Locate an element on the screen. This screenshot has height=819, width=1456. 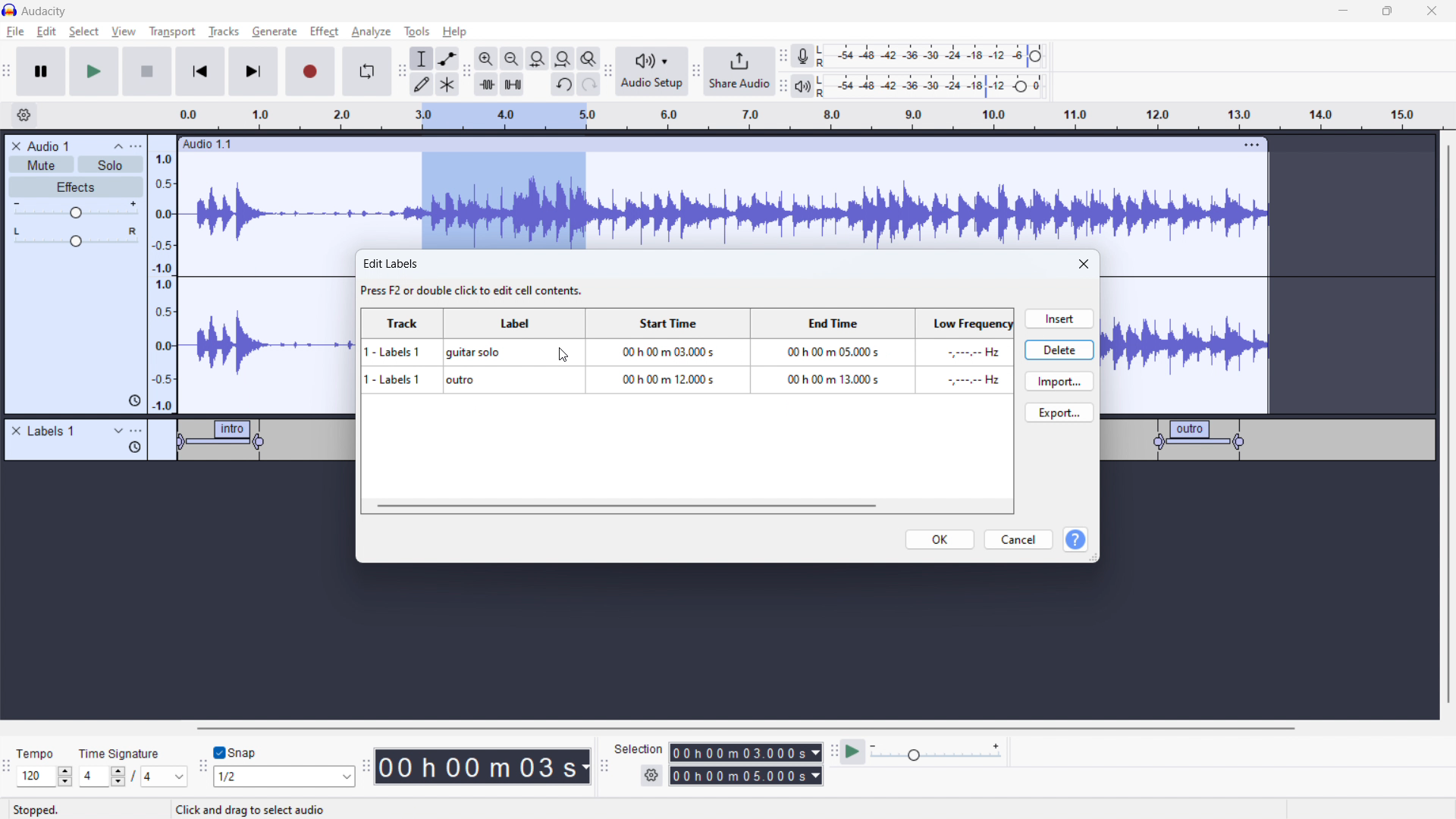
share audio is located at coordinates (738, 71).